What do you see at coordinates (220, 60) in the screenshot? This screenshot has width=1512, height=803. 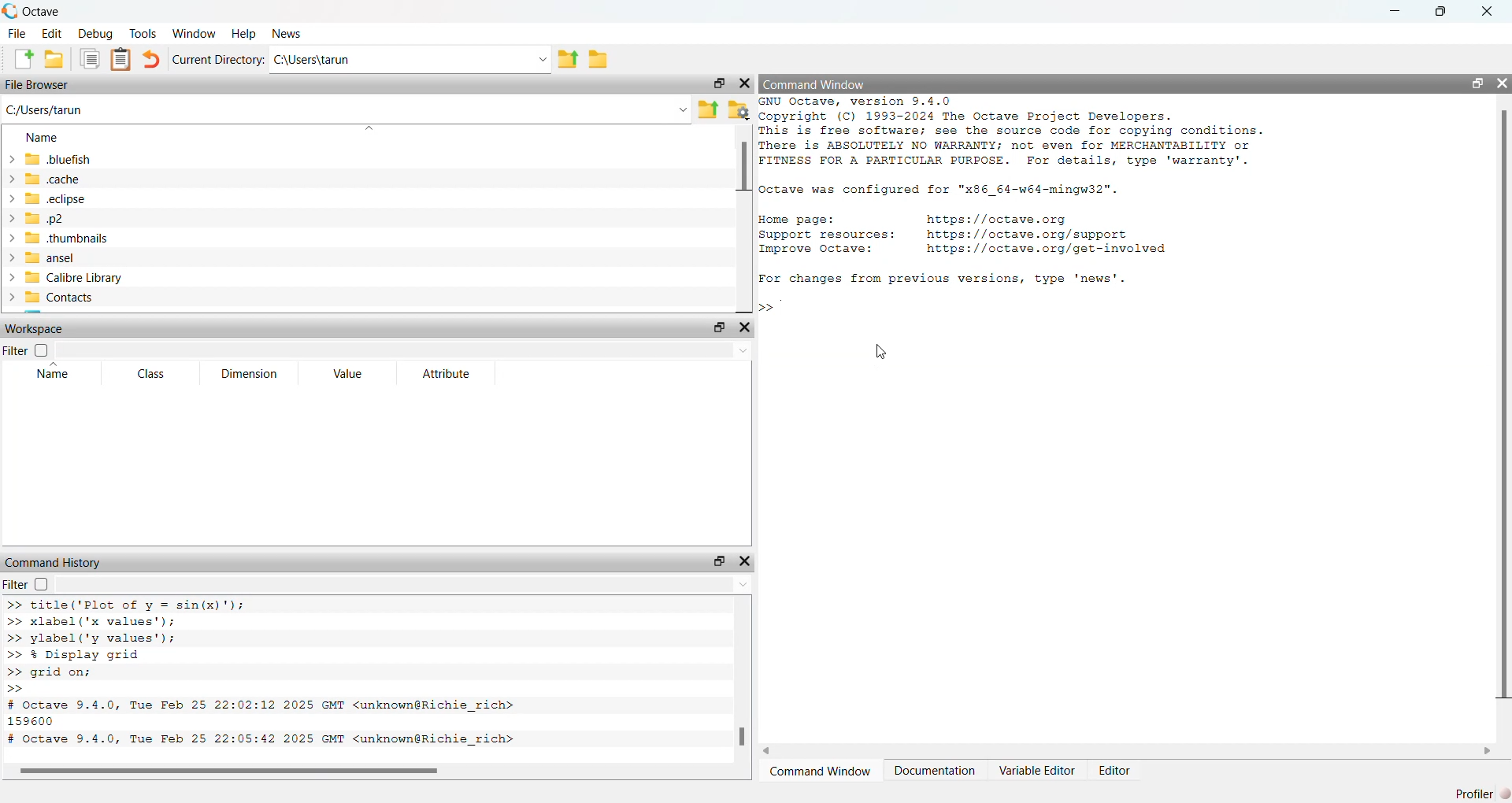 I see `Current directory` at bounding box center [220, 60].